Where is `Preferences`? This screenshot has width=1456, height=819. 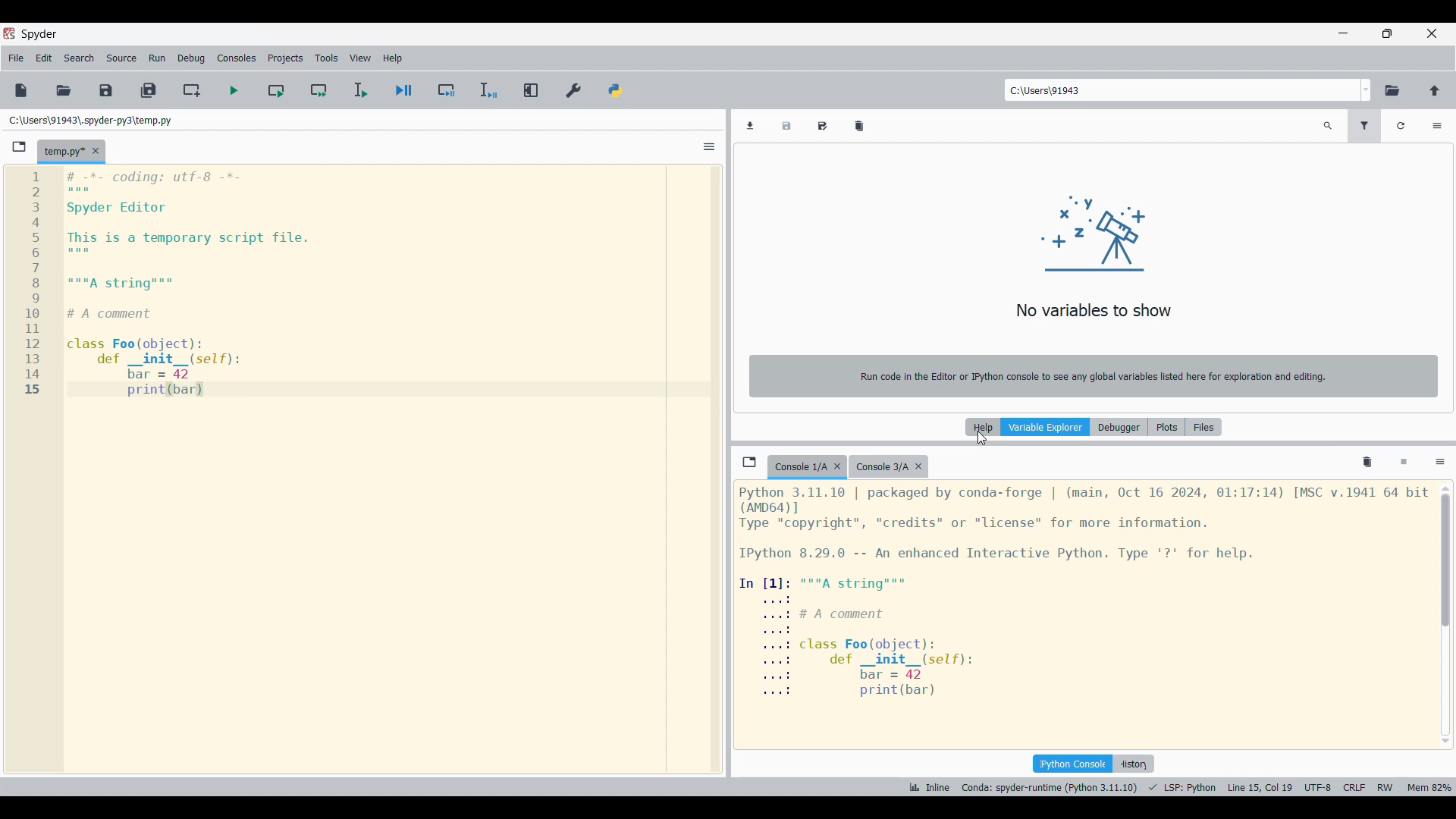
Preferences is located at coordinates (573, 90).